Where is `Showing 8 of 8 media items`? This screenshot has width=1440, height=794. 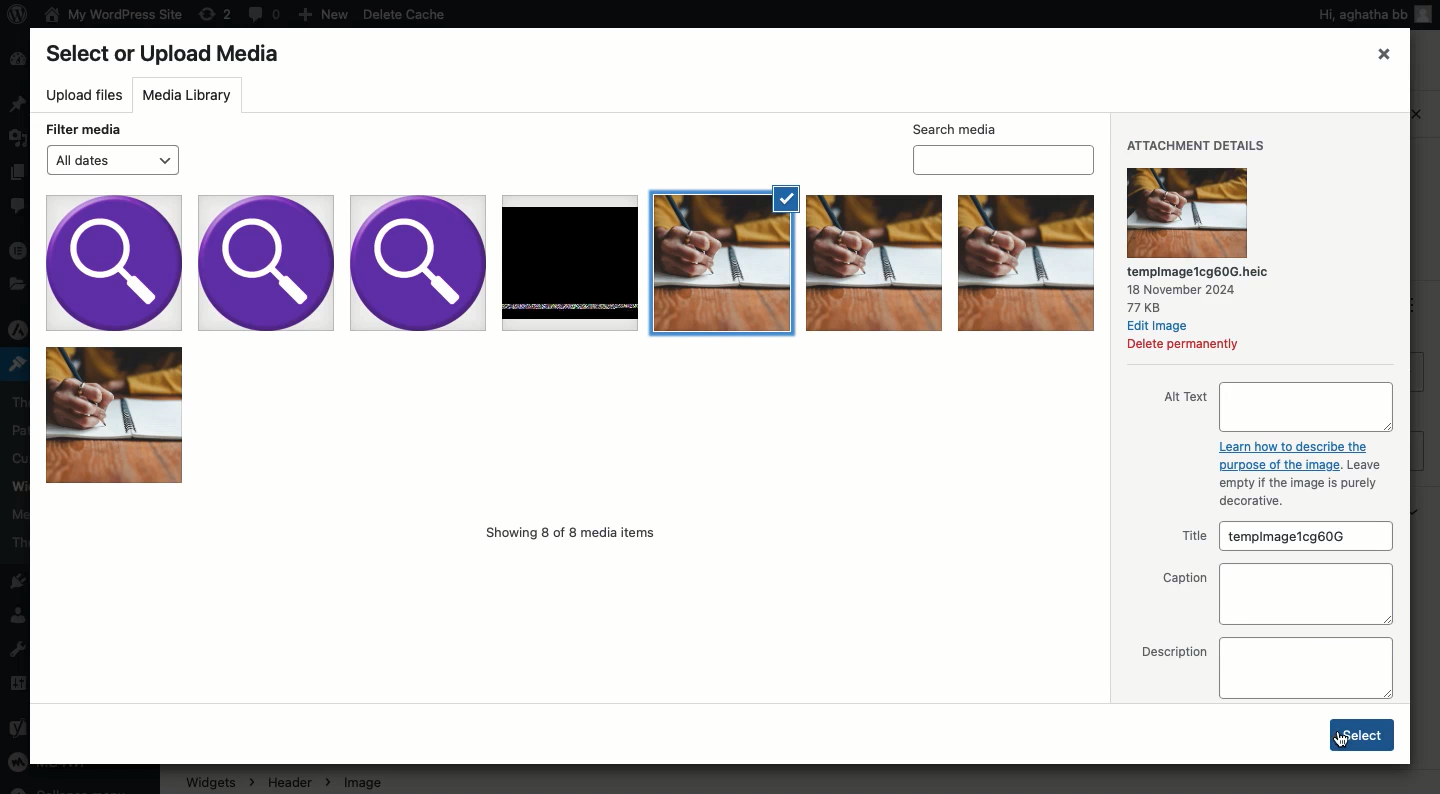 Showing 8 of 8 media items is located at coordinates (571, 532).